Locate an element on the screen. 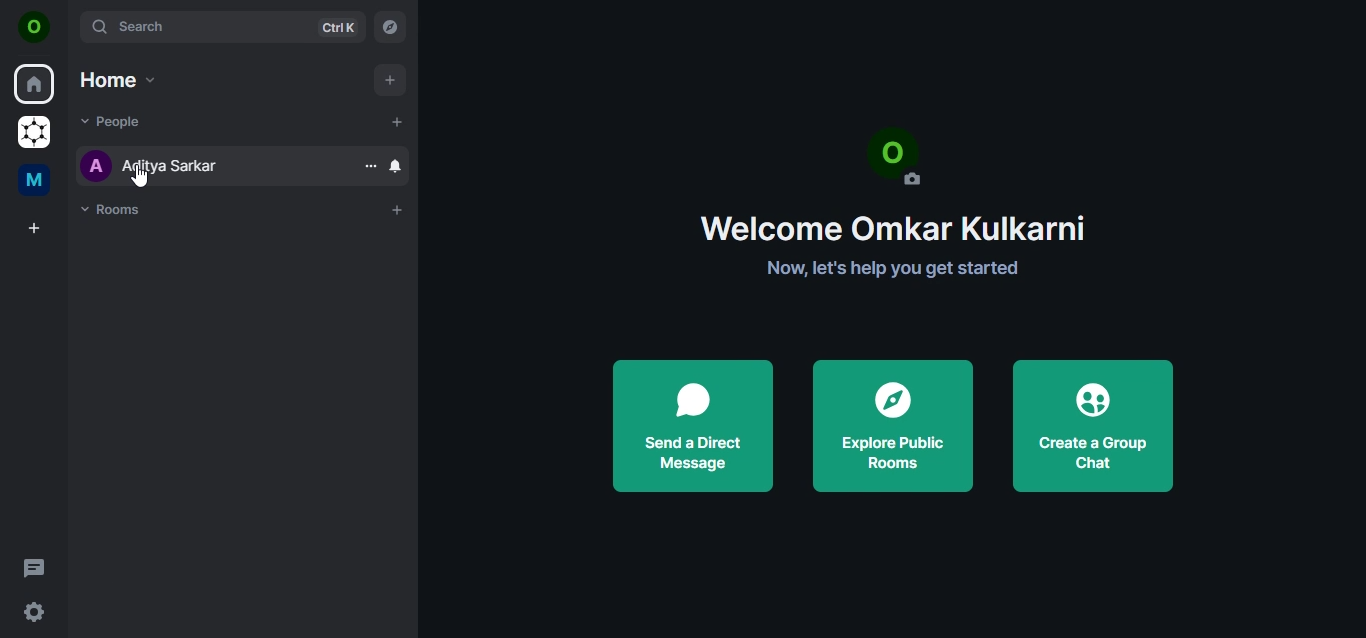 The image size is (1366, 638). add is located at coordinates (388, 80).